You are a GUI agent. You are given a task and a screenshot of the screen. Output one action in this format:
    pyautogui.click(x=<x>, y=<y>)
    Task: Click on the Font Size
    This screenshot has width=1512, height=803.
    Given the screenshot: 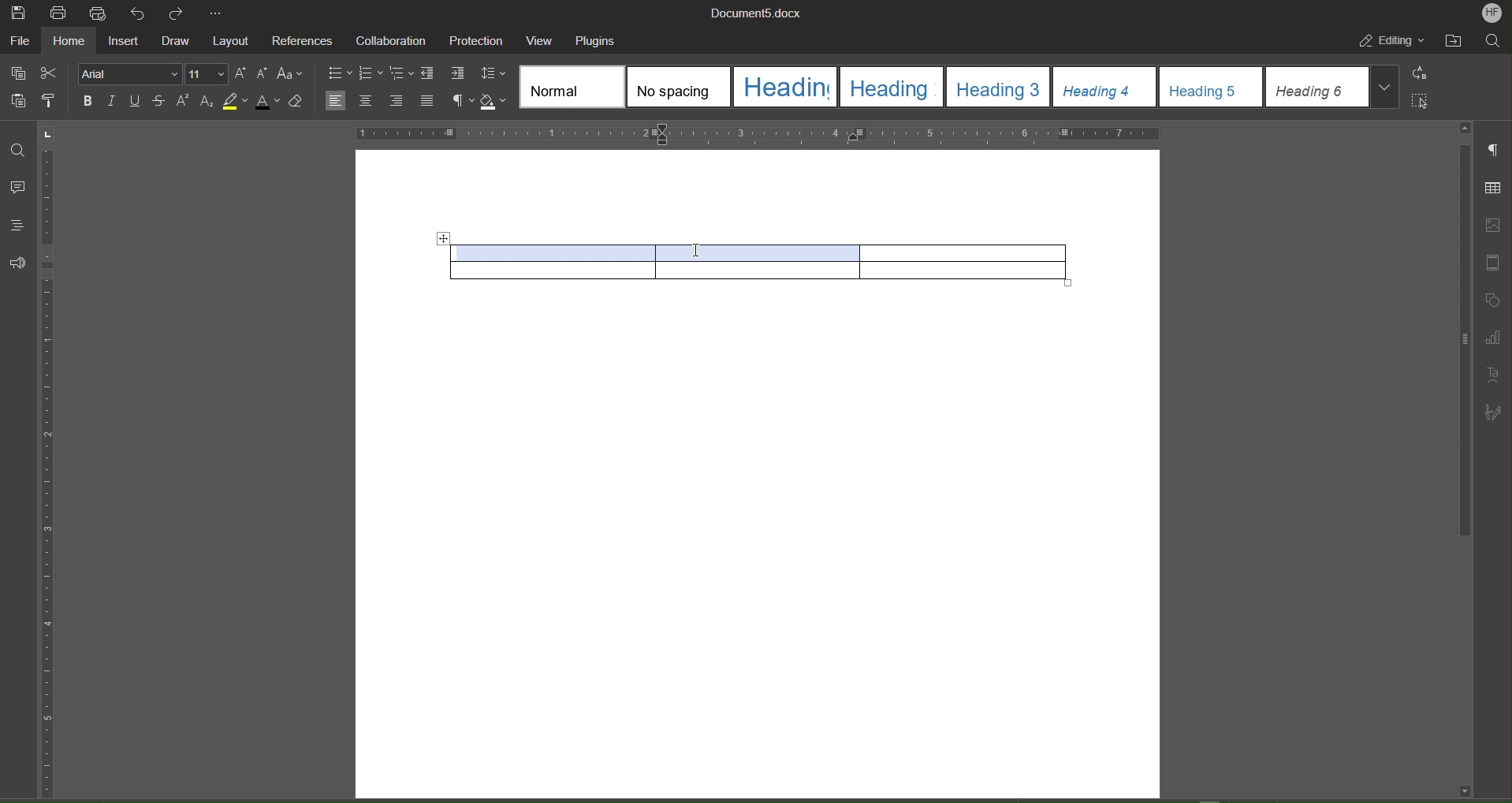 What is the action you would take?
    pyautogui.click(x=206, y=74)
    